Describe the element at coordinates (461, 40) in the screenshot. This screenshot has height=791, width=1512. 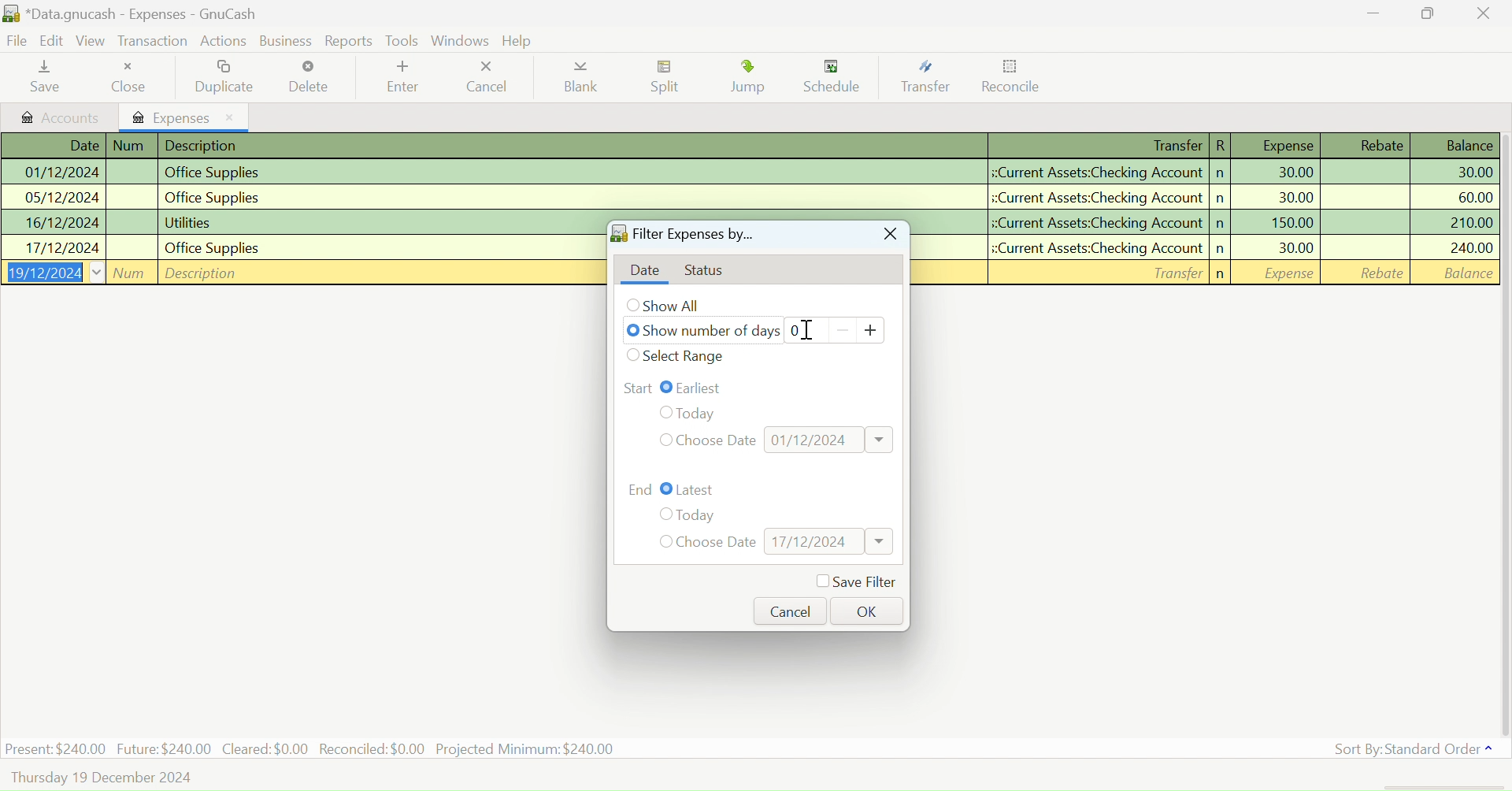
I see `Windows` at that location.